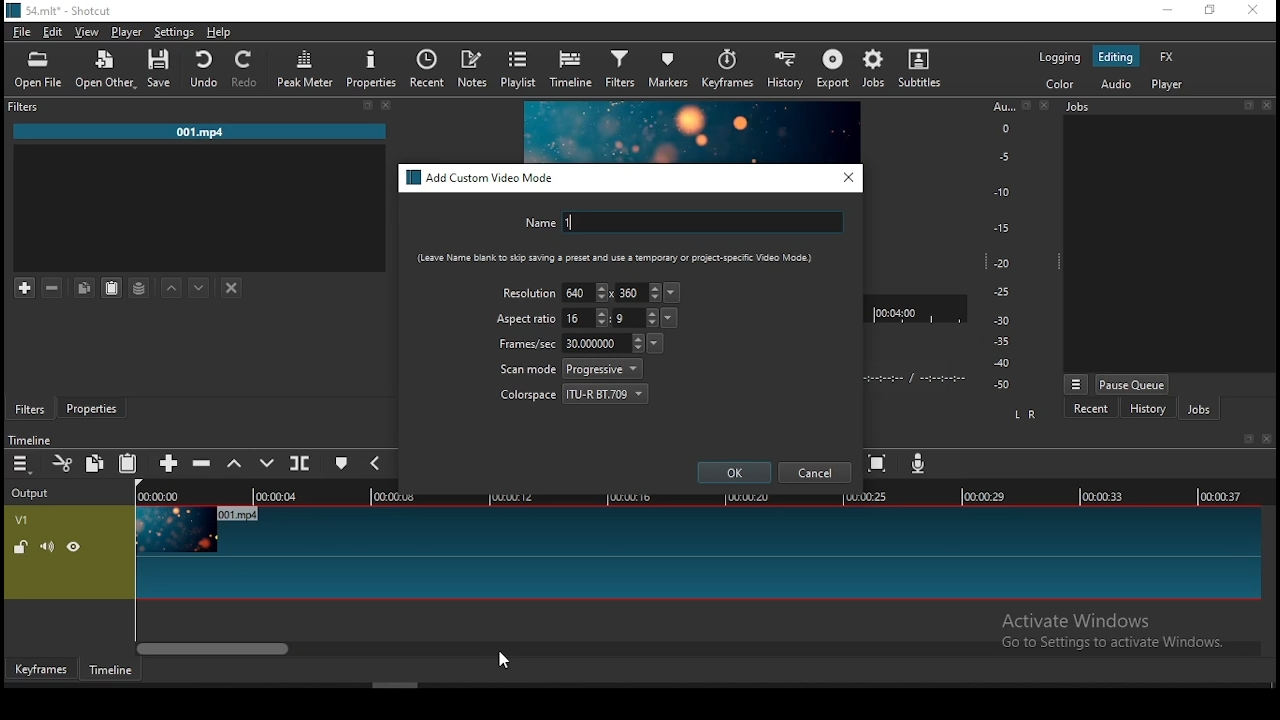 This screenshot has width=1280, height=720. I want to click on minimize, so click(1167, 11).